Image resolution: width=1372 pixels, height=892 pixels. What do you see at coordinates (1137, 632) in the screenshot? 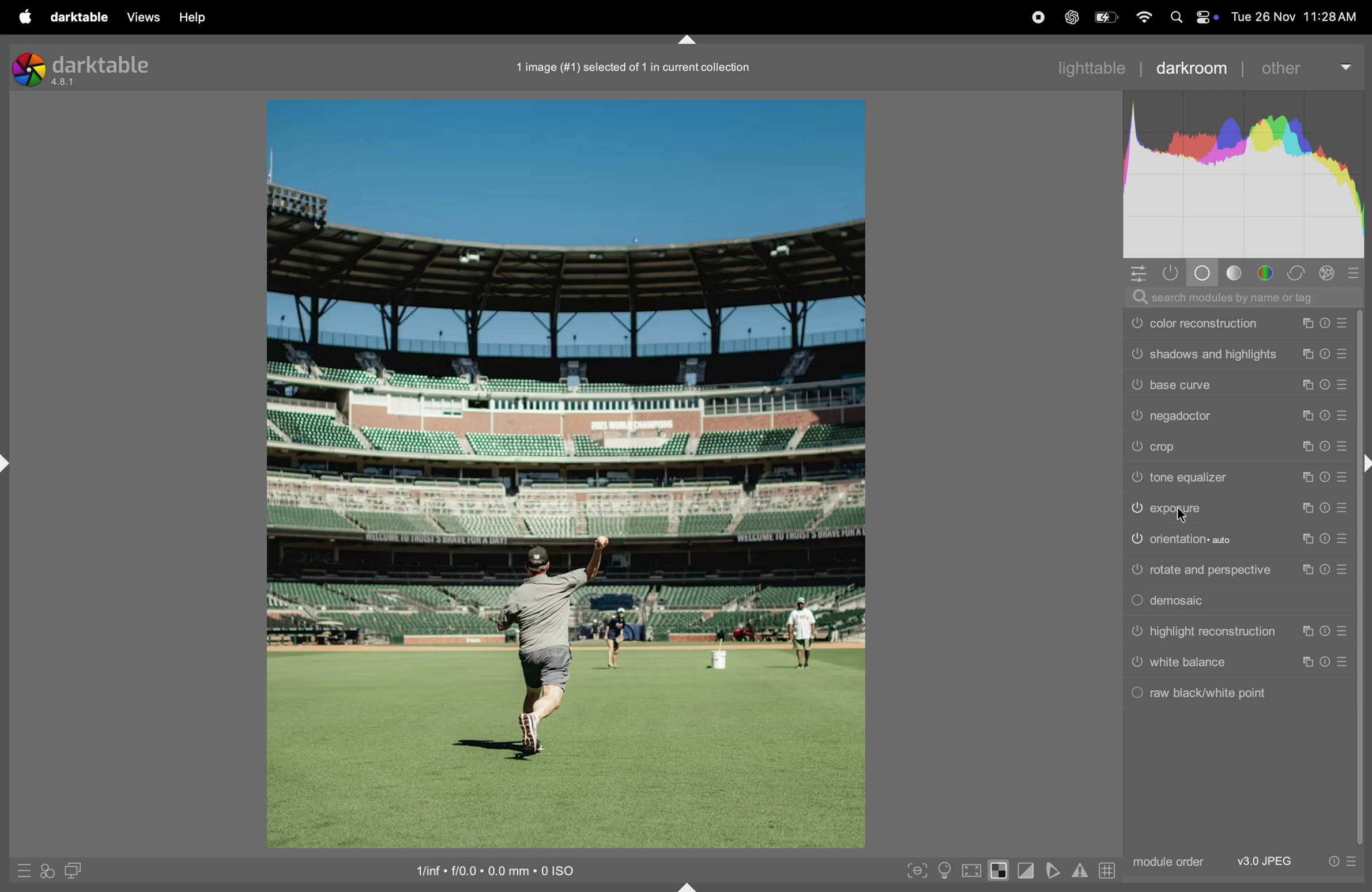
I see `Switch on or off` at bounding box center [1137, 632].